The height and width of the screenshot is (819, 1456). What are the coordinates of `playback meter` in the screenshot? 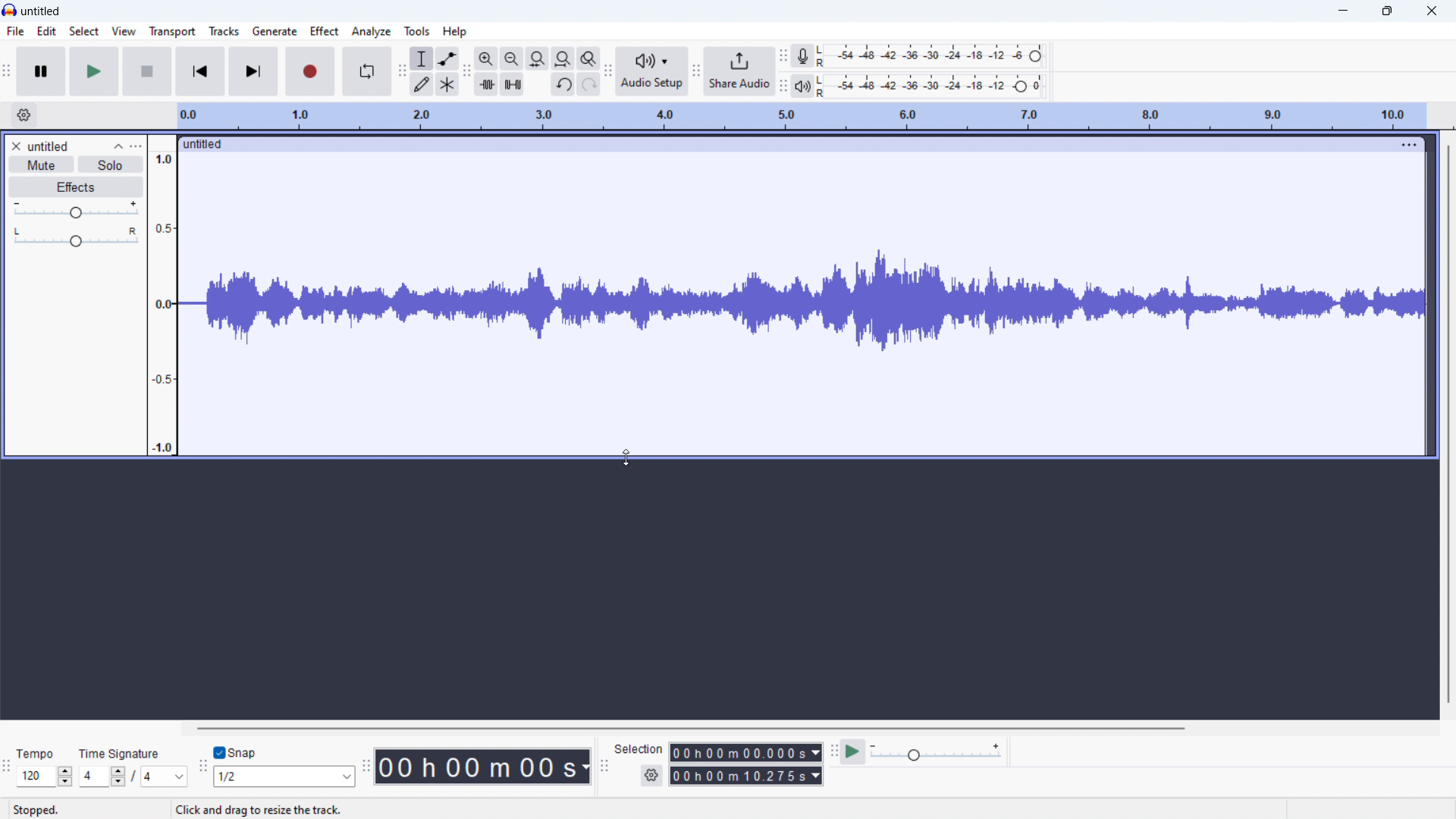 It's located at (803, 86).